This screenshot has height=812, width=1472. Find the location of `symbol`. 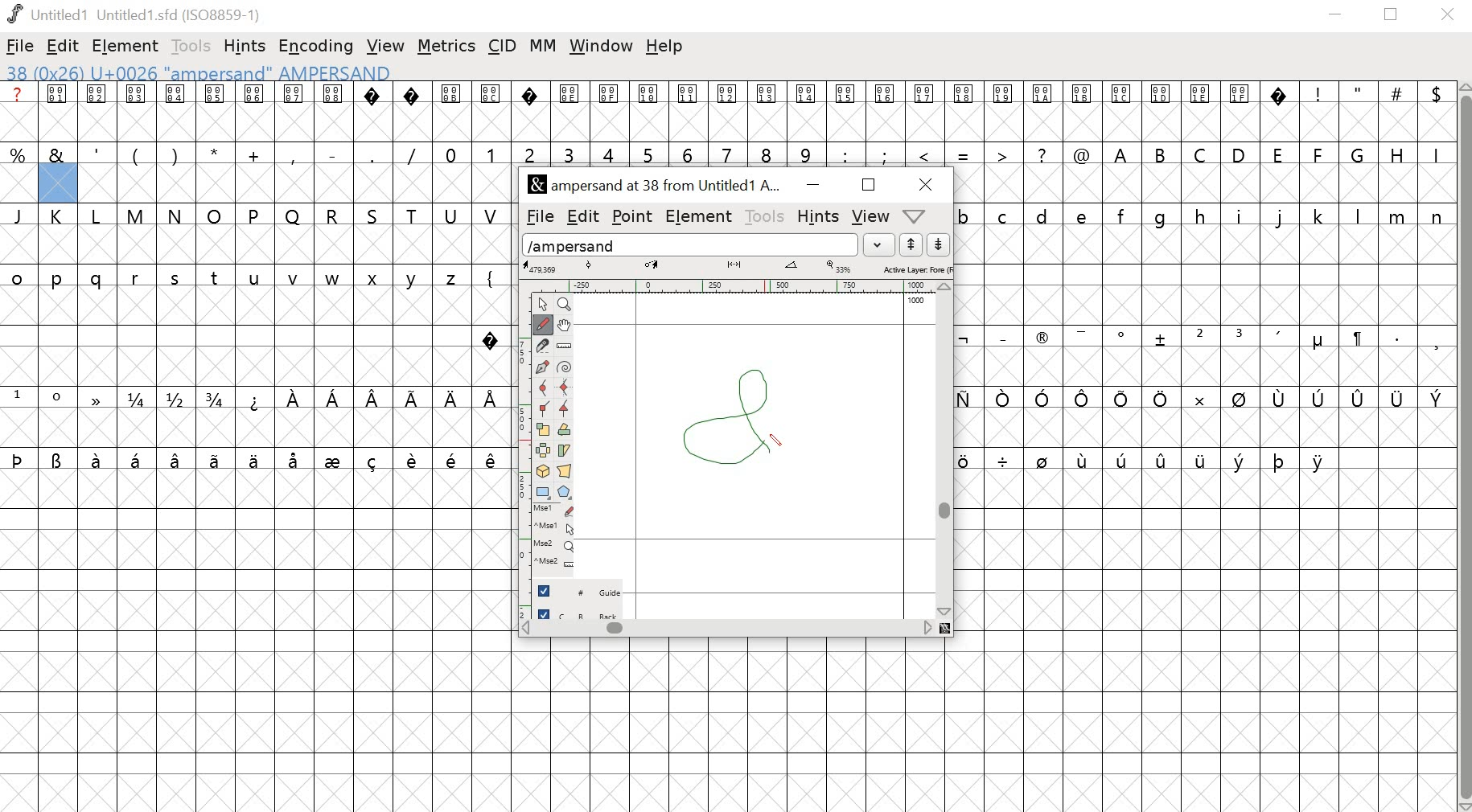

symbol is located at coordinates (1087, 399).